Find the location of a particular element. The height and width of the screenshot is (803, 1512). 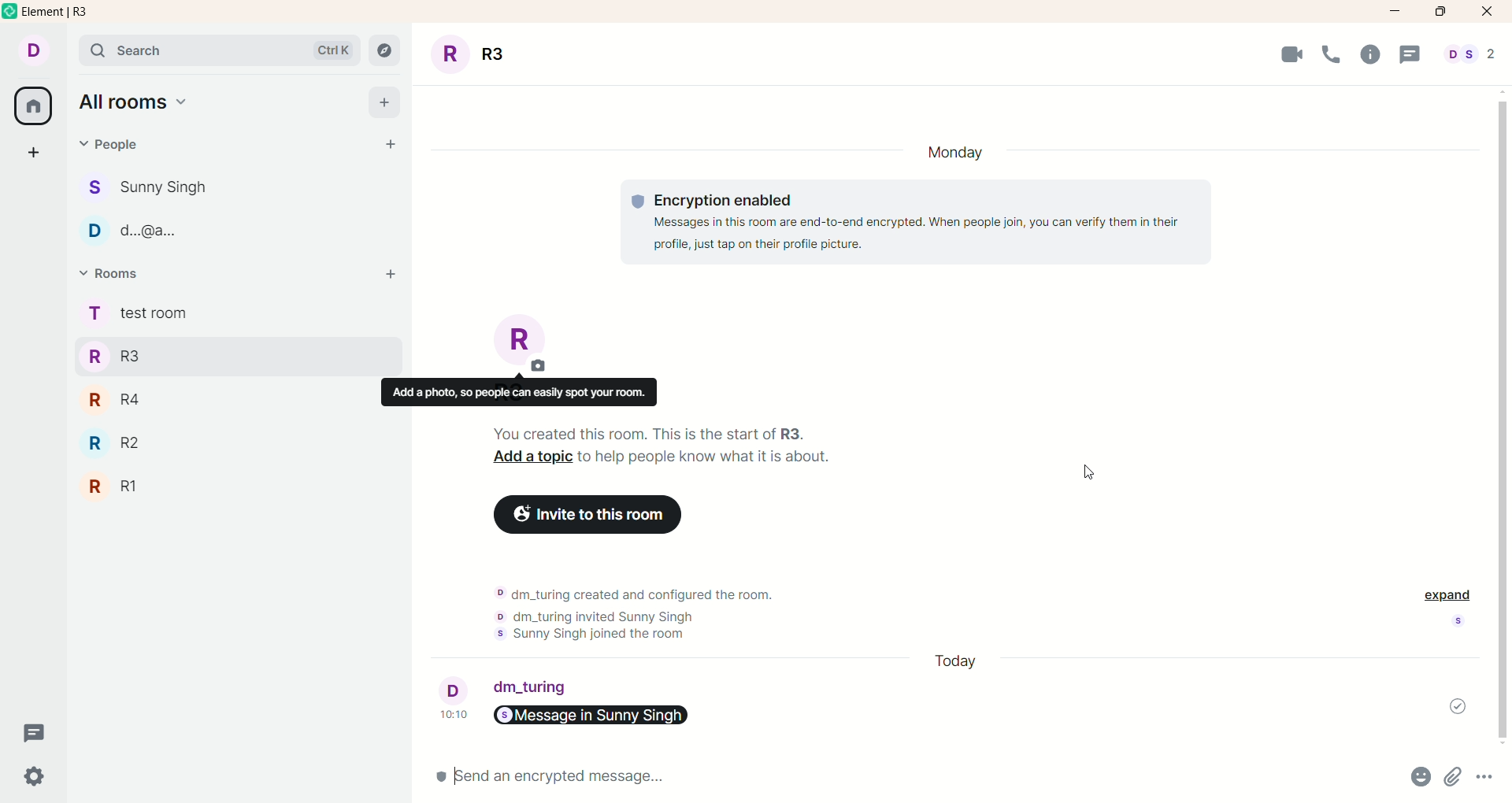

text is located at coordinates (645, 617).